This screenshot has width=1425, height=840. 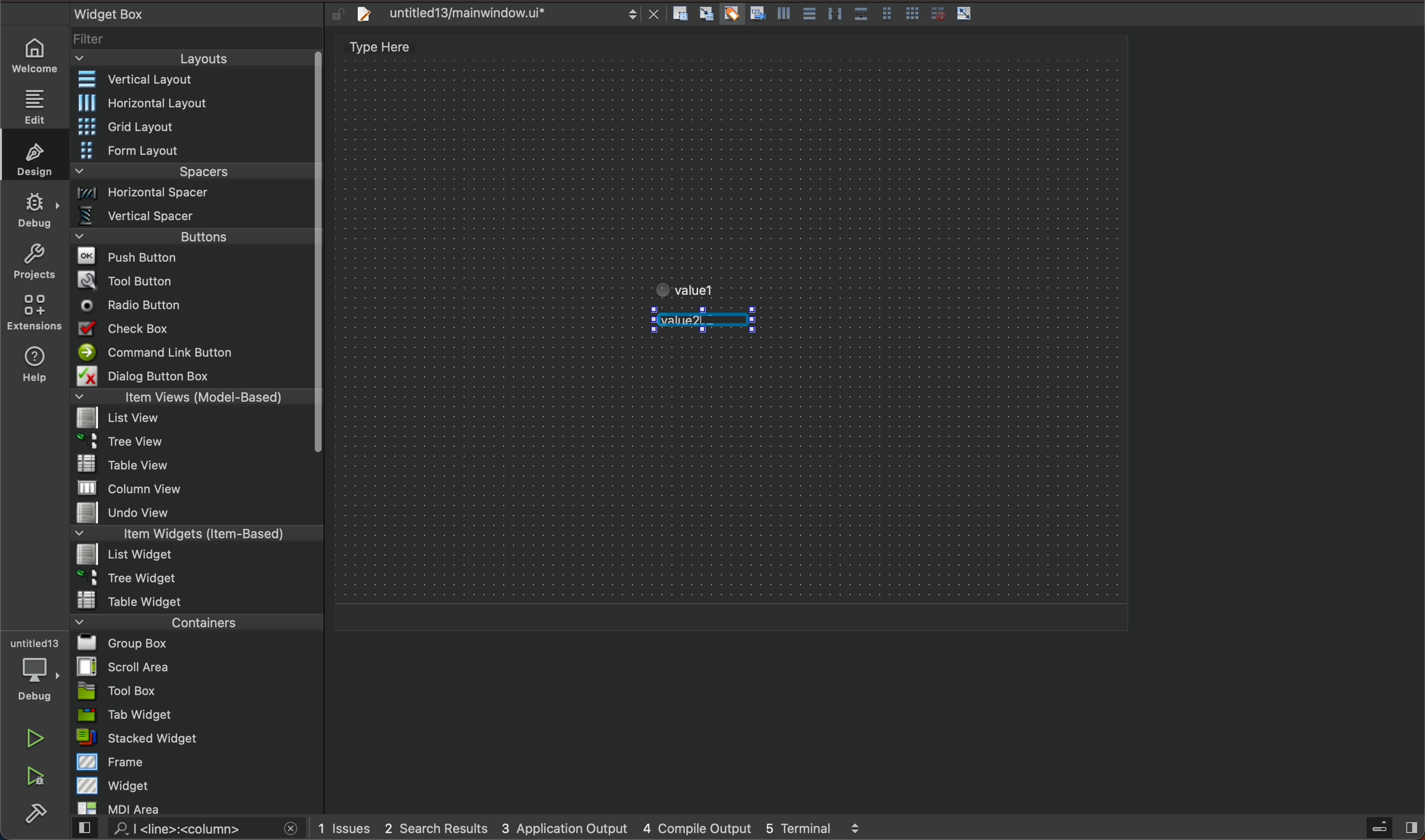 I want to click on , so click(x=193, y=556).